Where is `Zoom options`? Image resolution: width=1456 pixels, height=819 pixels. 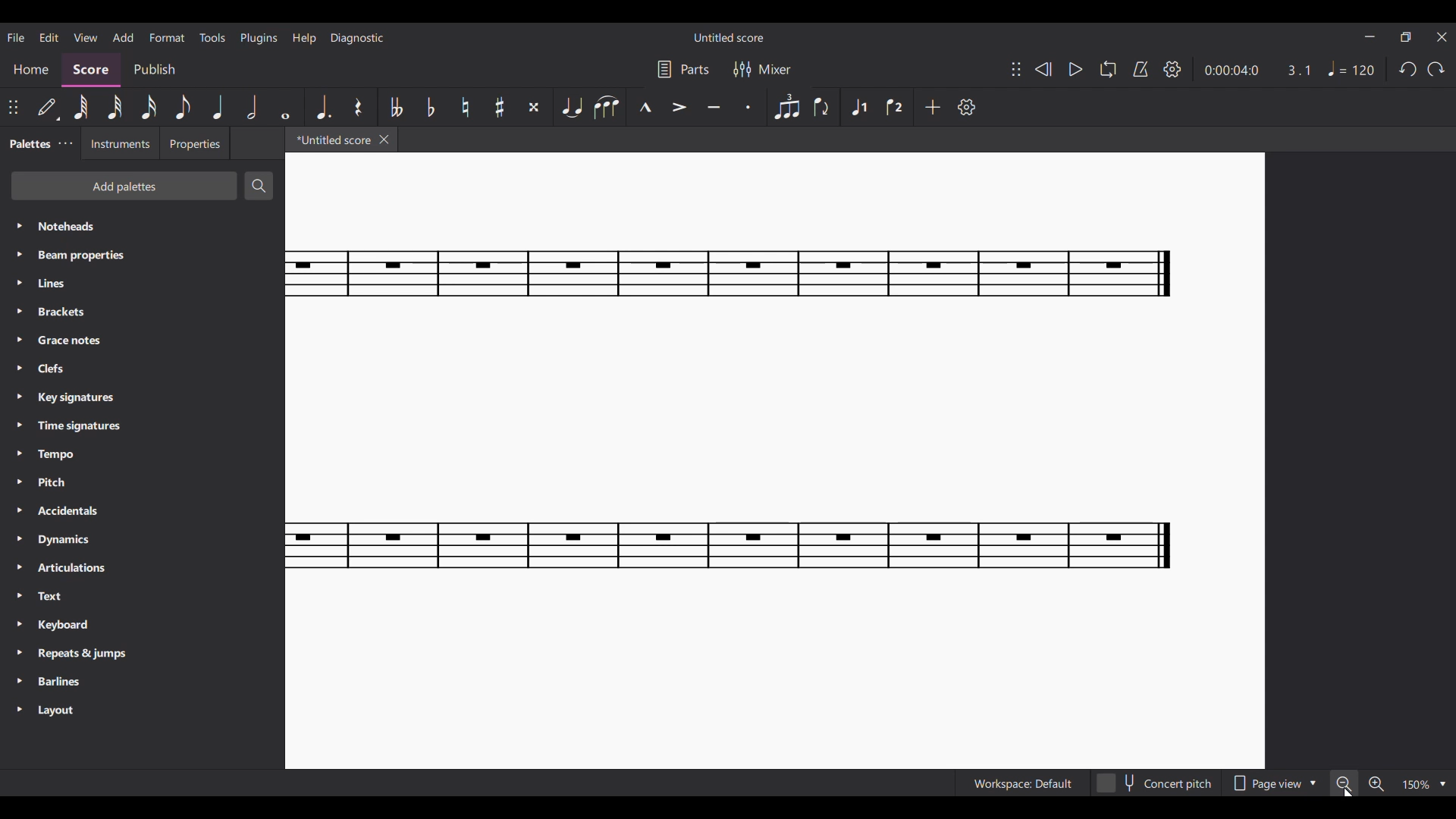
Zoom options is located at coordinates (1423, 784).